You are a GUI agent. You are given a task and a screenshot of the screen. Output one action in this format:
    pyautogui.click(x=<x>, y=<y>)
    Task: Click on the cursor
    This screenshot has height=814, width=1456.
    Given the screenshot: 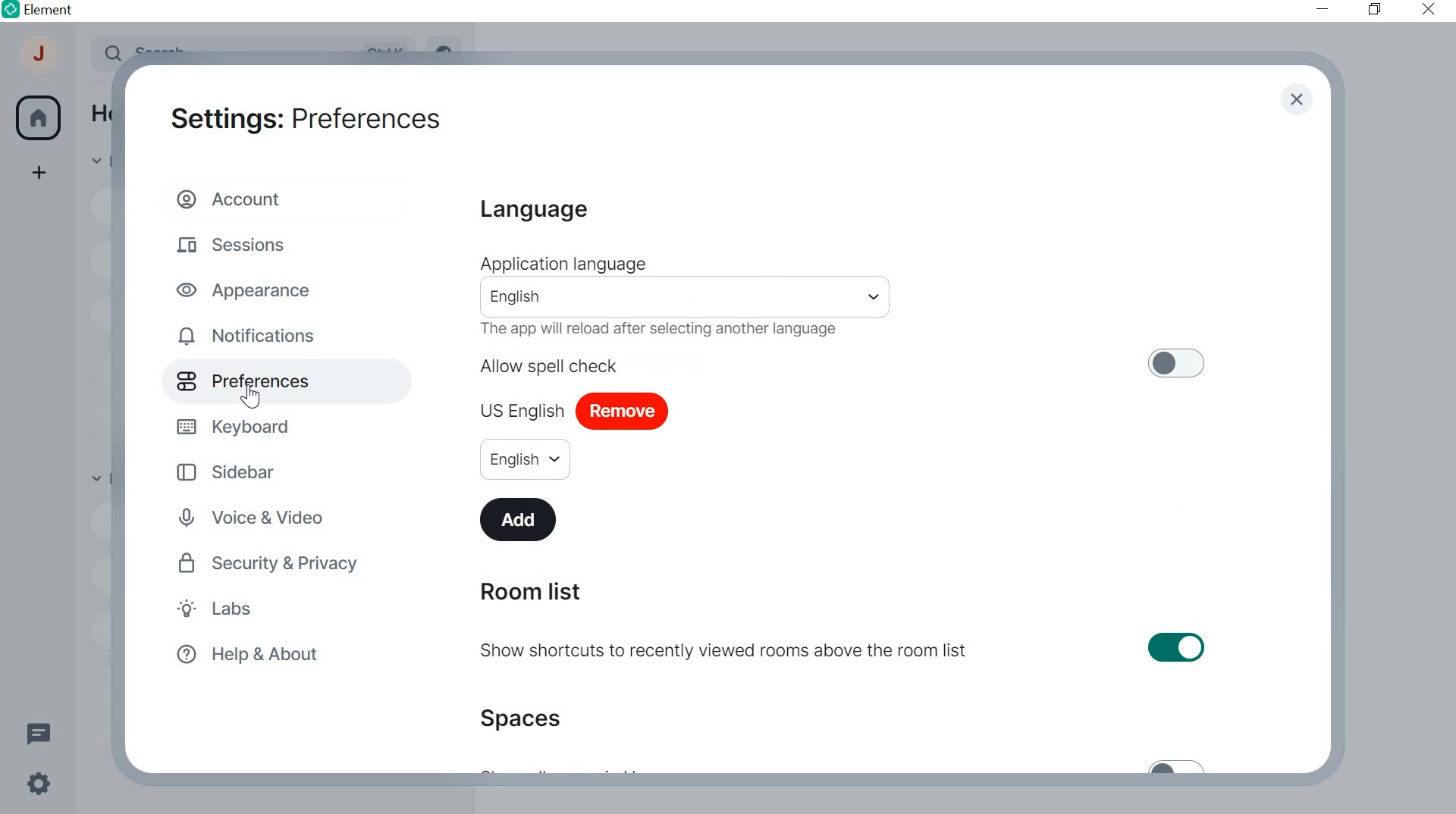 What is the action you would take?
    pyautogui.click(x=249, y=396)
    